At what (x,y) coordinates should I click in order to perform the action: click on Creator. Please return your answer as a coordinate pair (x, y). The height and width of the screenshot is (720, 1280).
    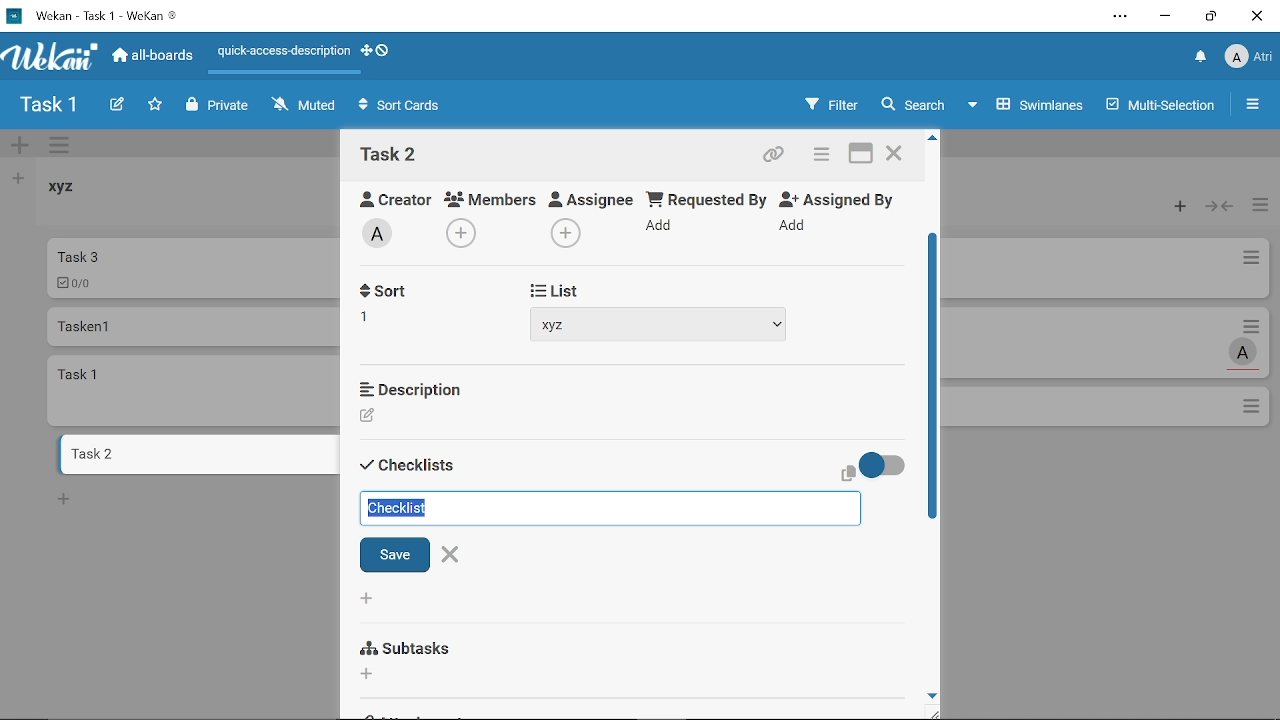
    Looking at the image, I should click on (388, 196).